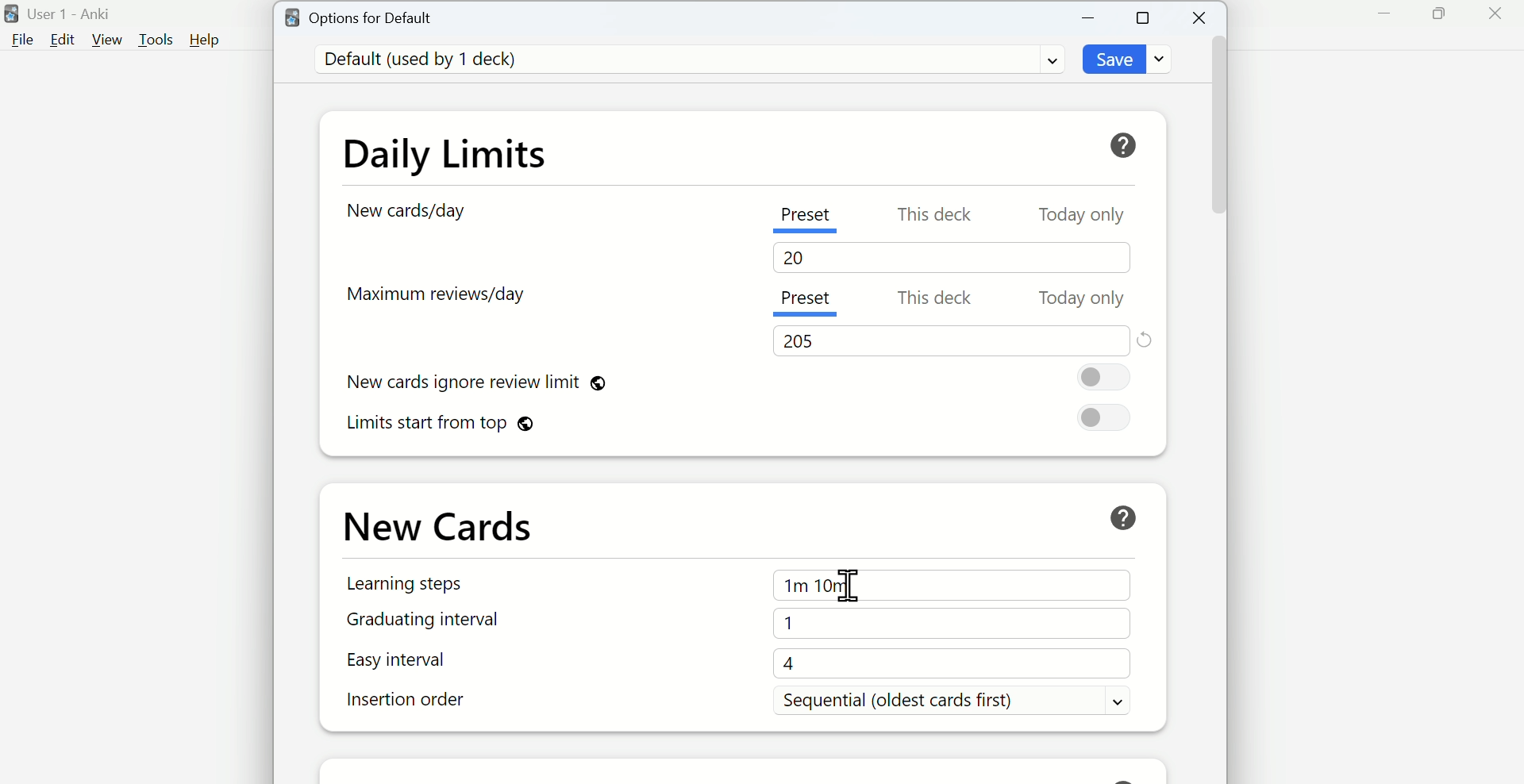  What do you see at coordinates (1165, 60) in the screenshot?
I see `Dropdown` at bounding box center [1165, 60].